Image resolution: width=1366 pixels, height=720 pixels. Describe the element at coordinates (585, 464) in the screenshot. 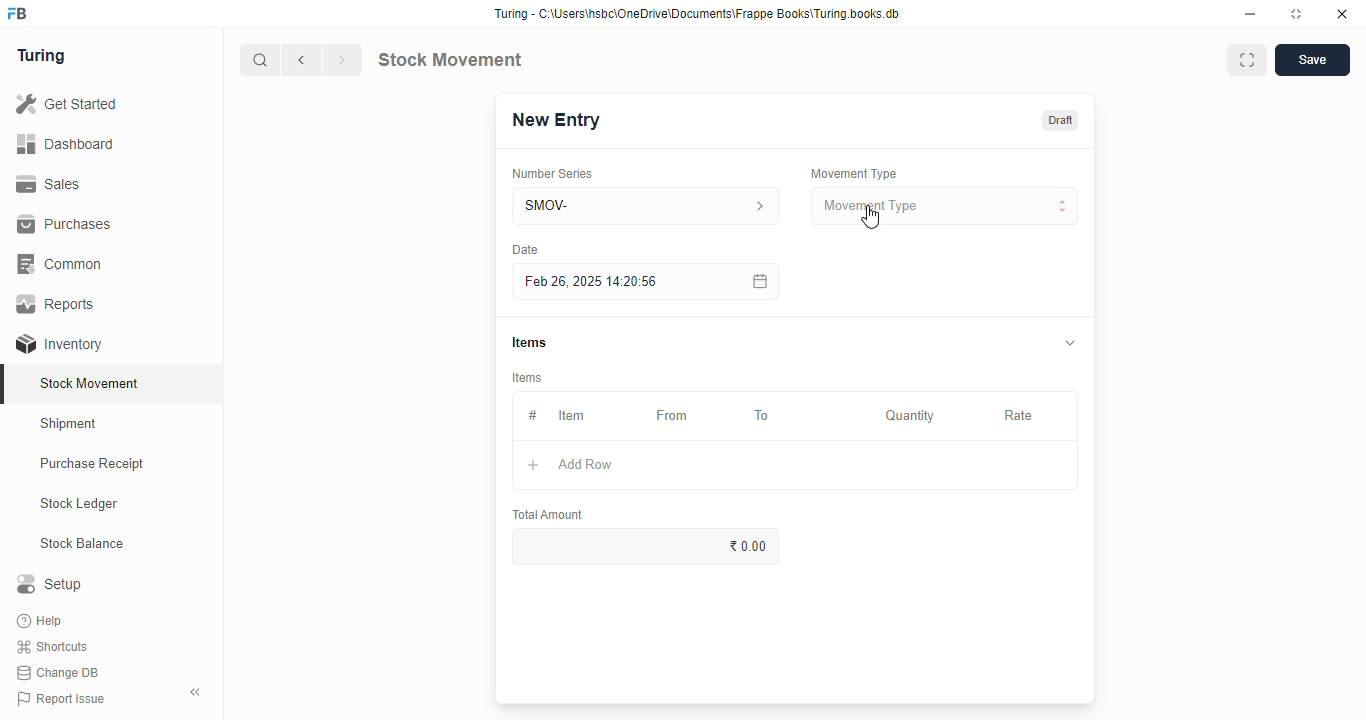

I see `add row` at that location.